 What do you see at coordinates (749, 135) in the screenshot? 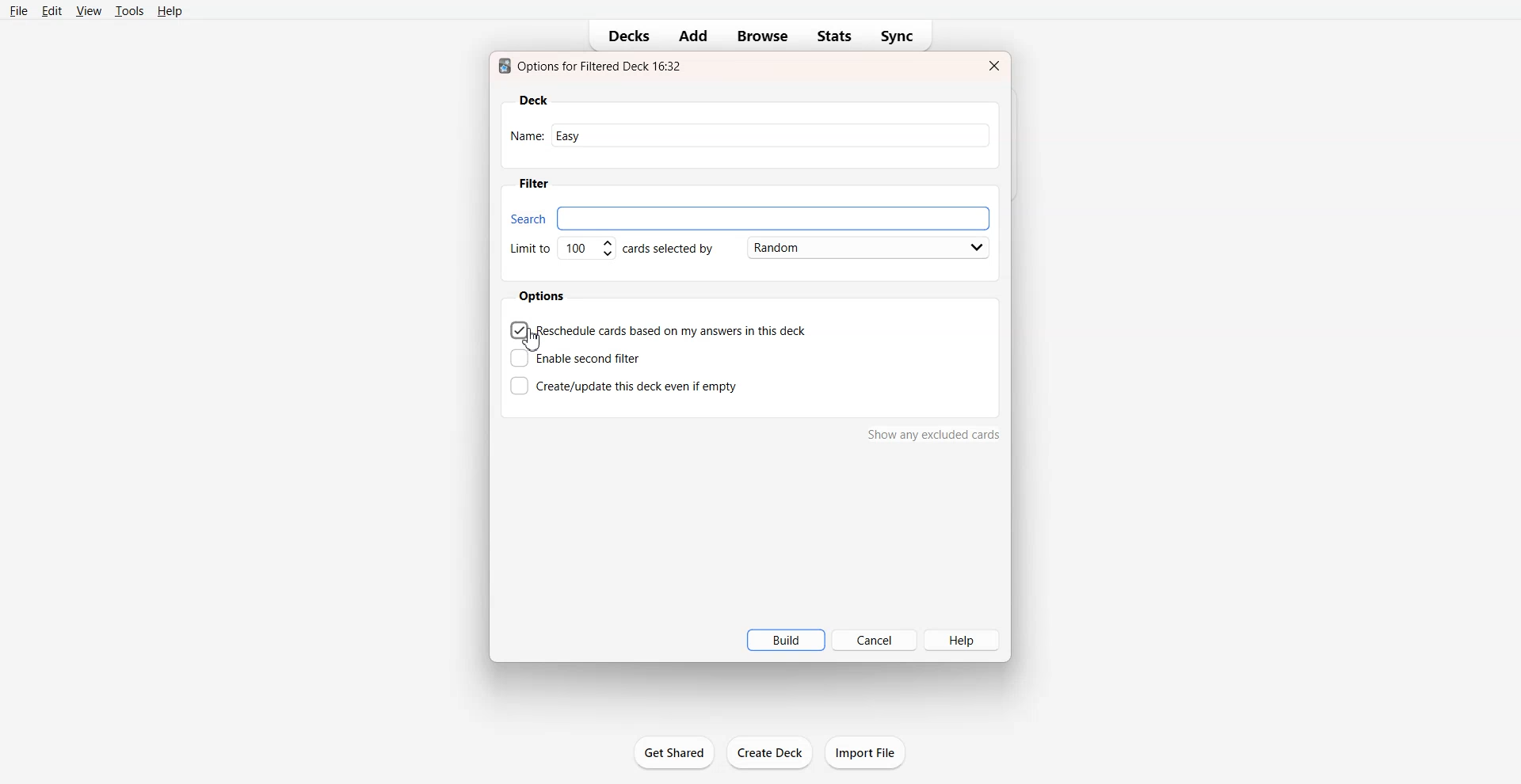
I see `Enter Name` at bounding box center [749, 135].